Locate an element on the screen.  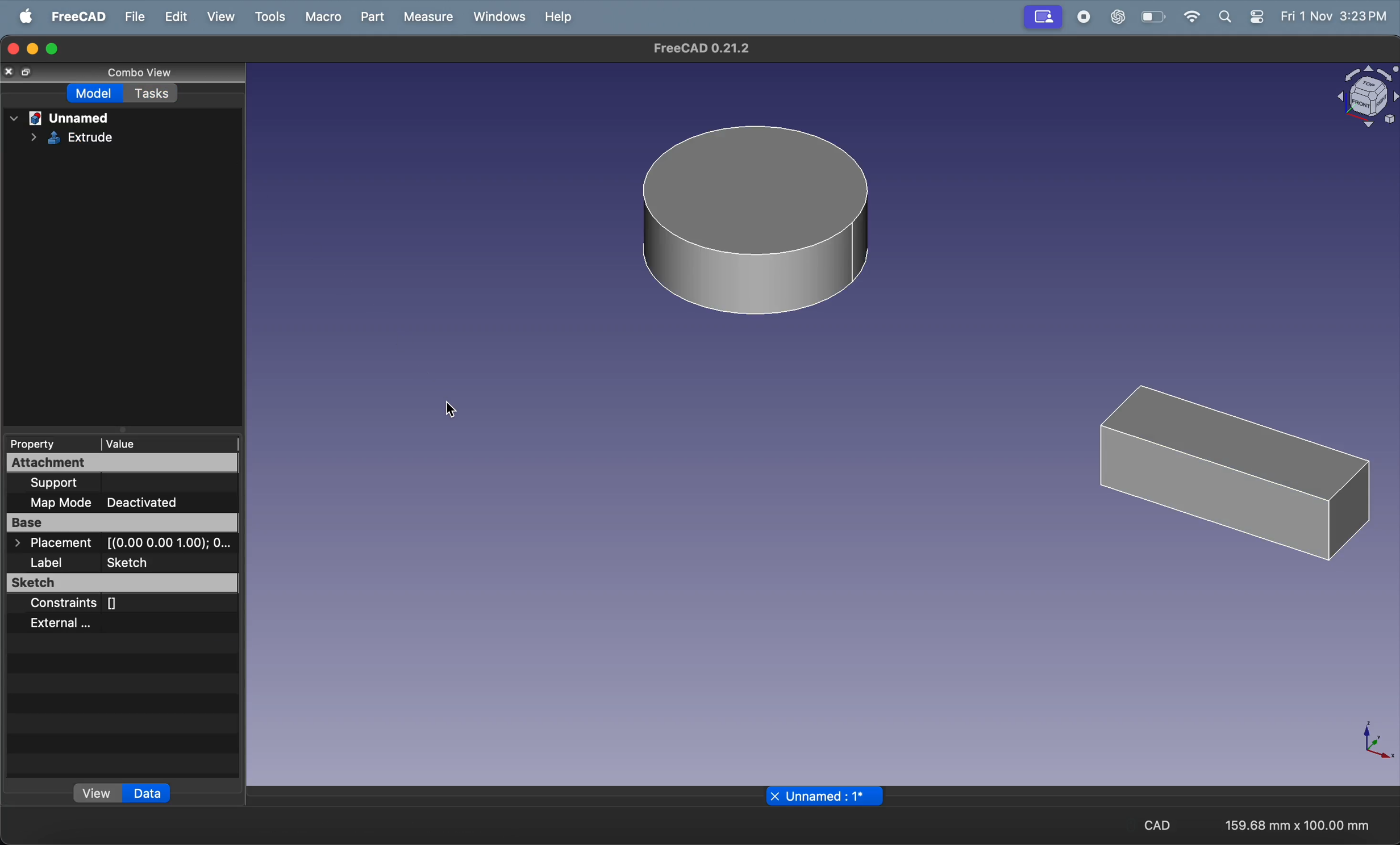
Value is located at coordinates (161, 445).